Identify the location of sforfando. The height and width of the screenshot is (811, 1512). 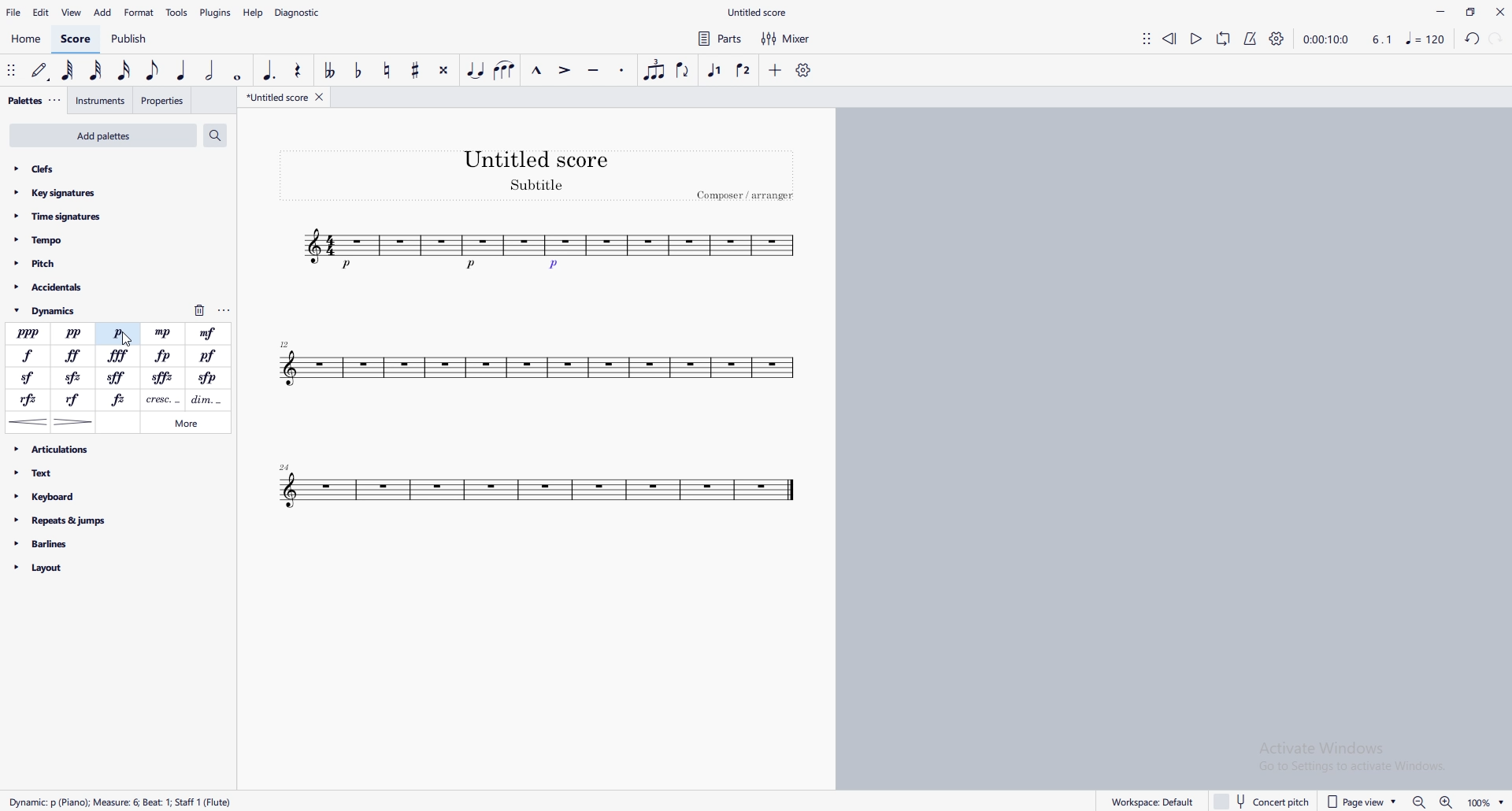
(117, 376).